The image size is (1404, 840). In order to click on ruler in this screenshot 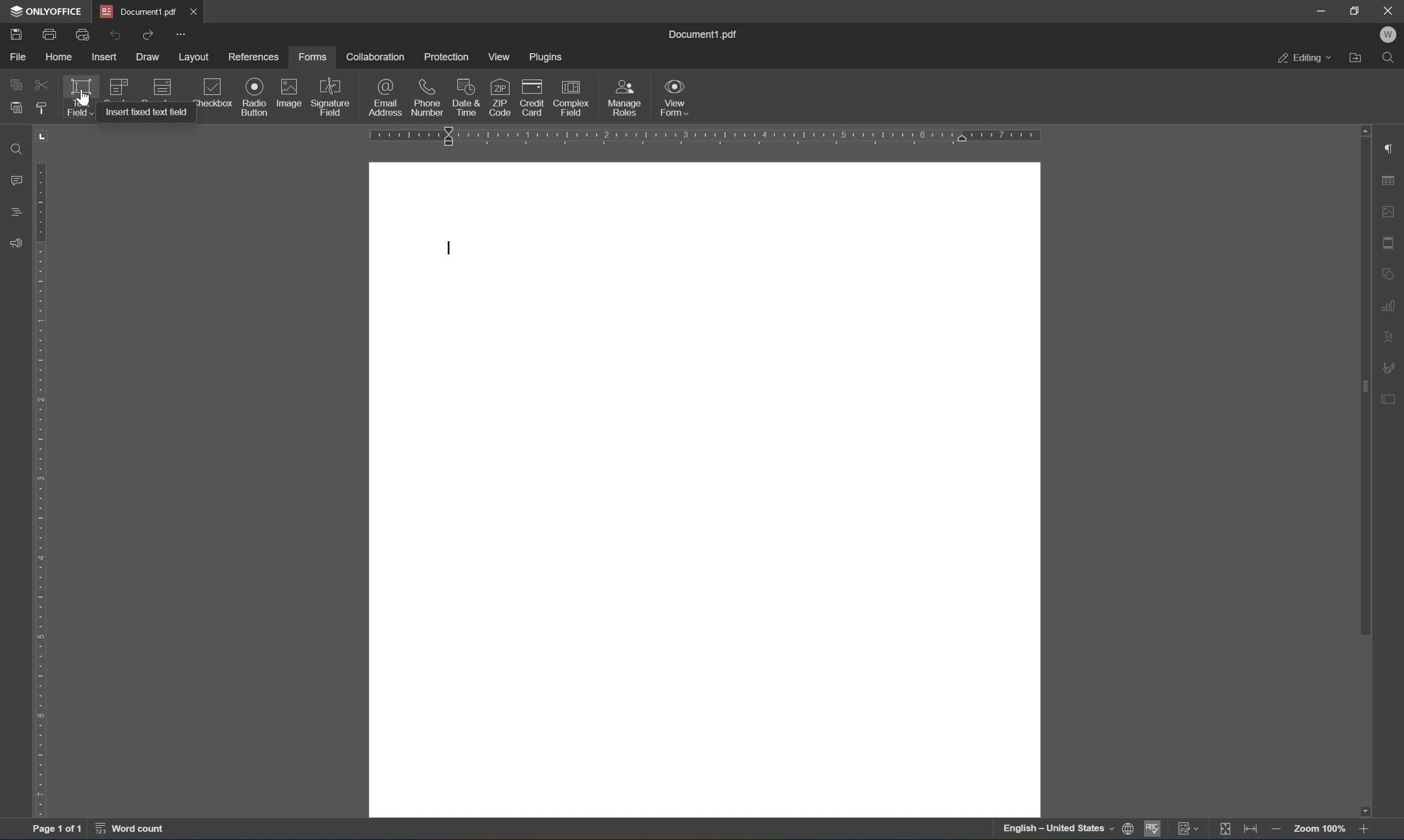, I will do `click(41, 490)`.